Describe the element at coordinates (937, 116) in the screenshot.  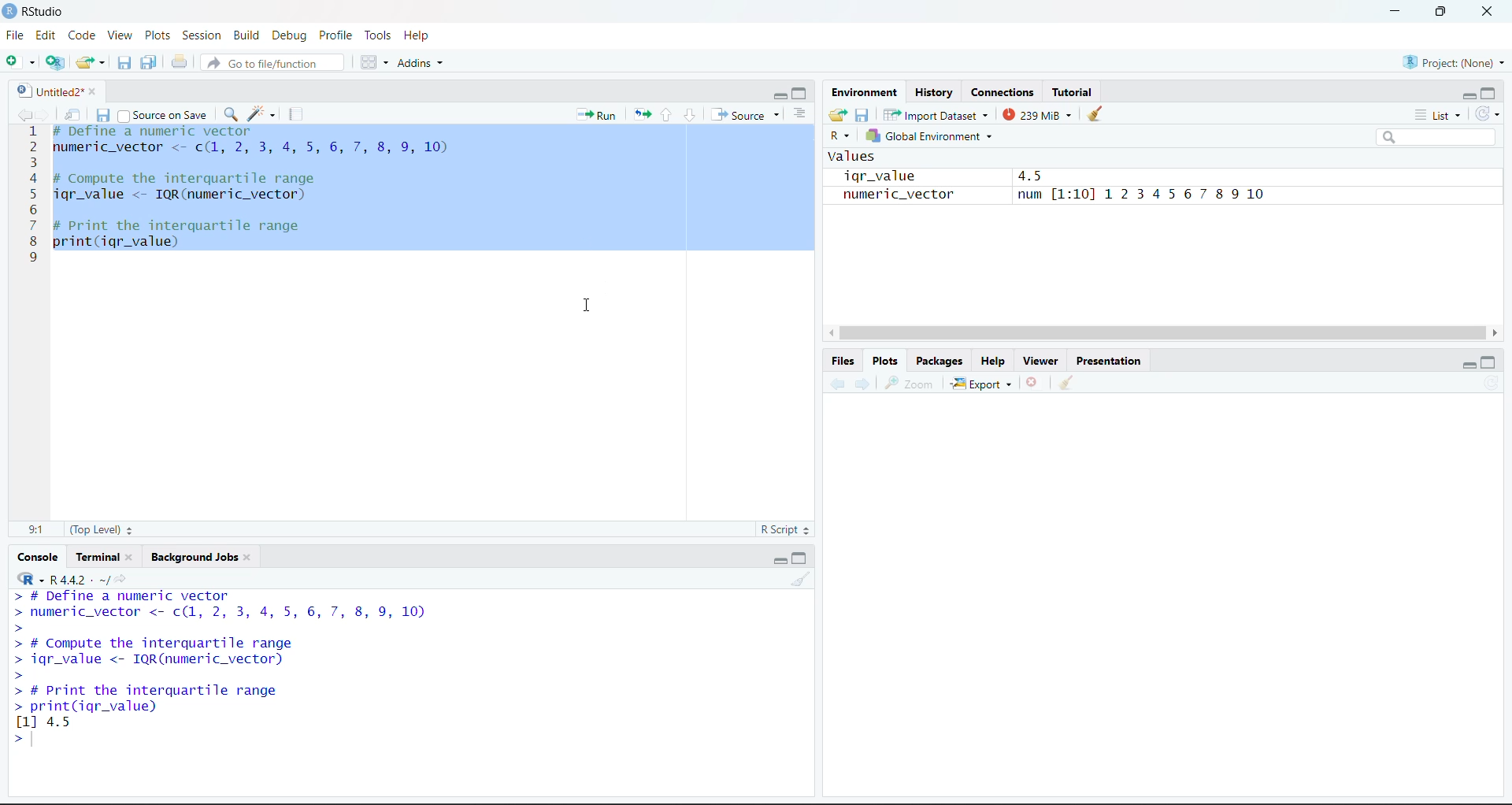
I see `Import Database` at that location.